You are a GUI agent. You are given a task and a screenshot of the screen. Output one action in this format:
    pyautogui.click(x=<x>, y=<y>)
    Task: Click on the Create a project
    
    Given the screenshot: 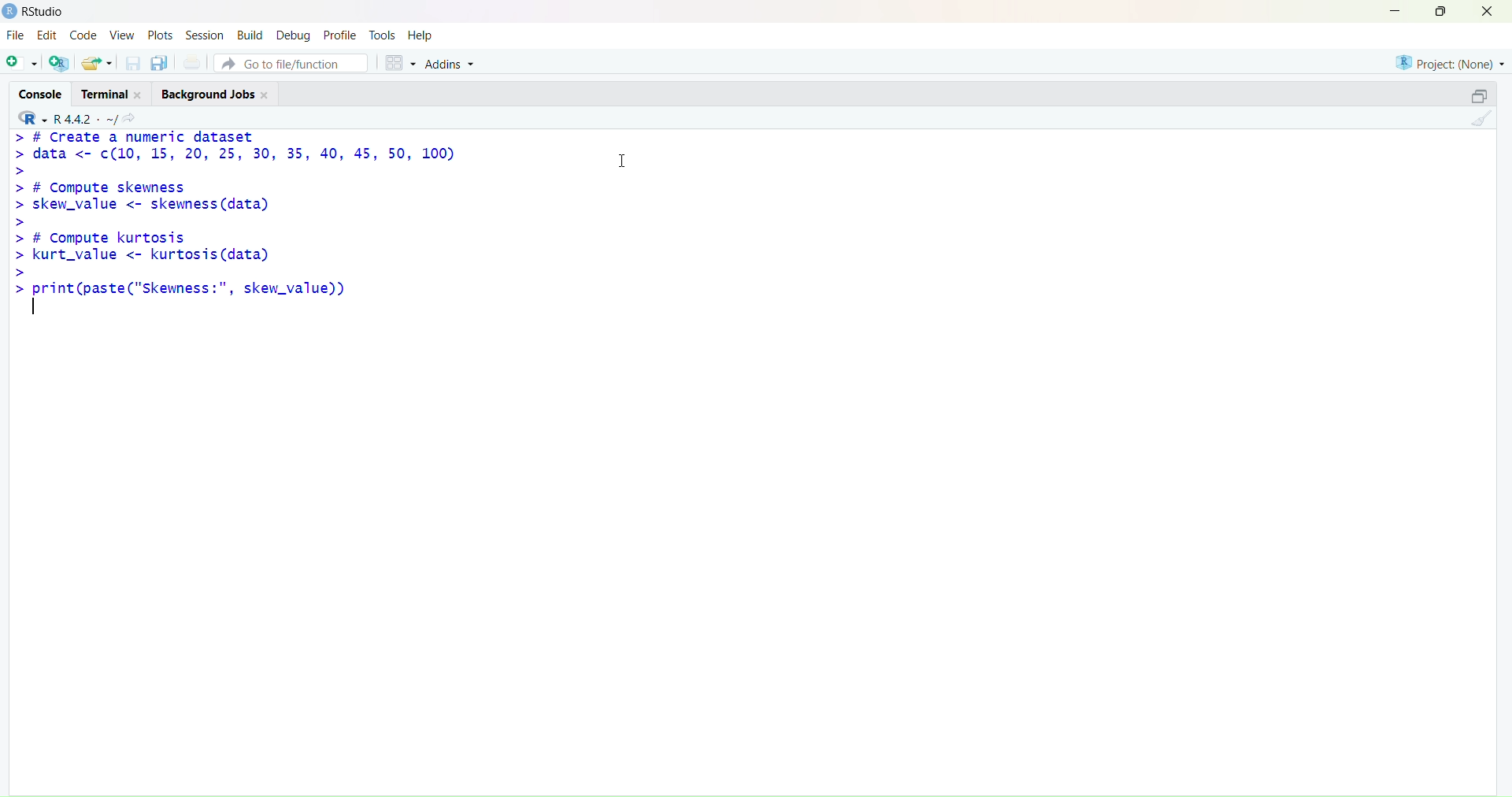 What is the action you would take?
    pyautogui.click(x=59, y=63)
    